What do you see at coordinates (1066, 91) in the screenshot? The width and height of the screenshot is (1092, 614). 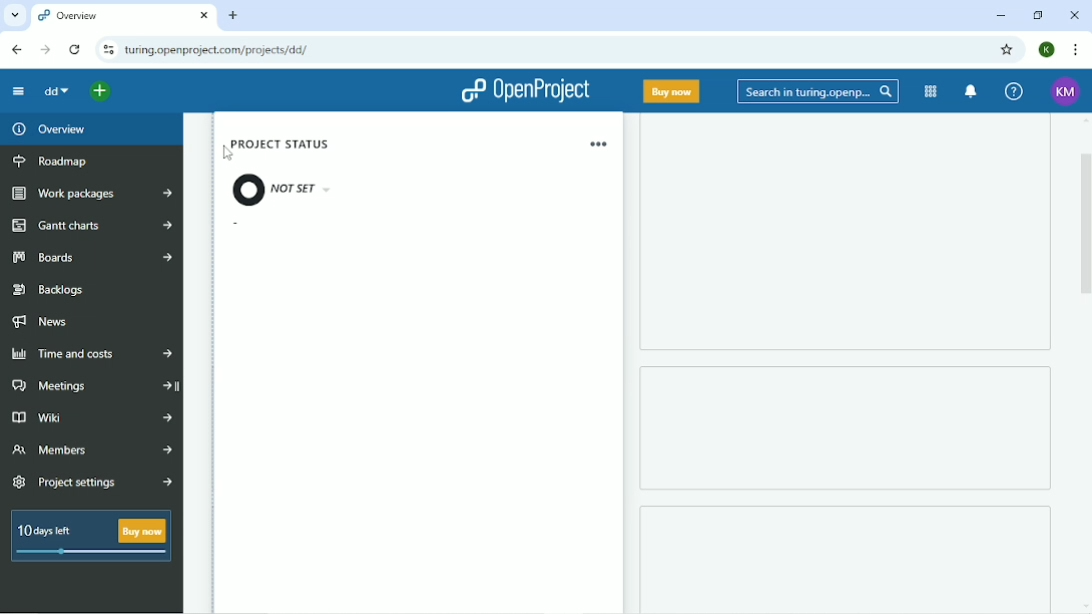 I see `Account` at bounding box center [1066, 91].